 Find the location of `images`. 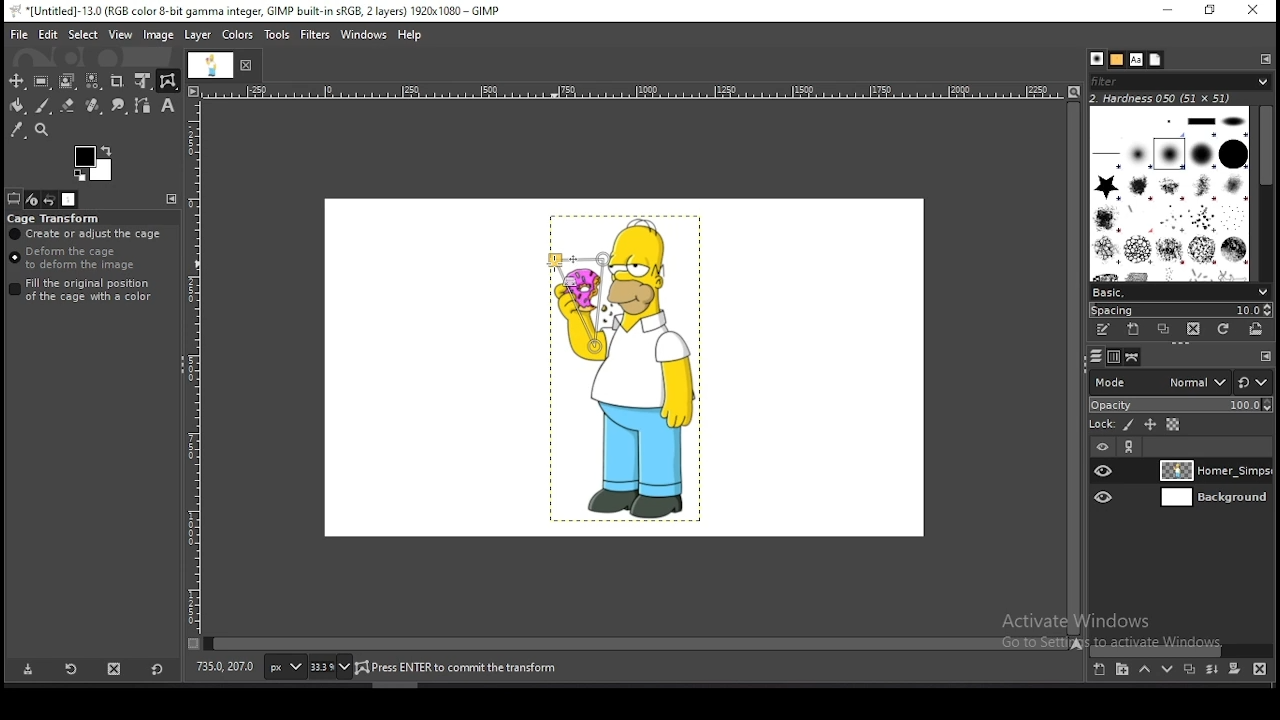

images is located at coordinates (70, 200).